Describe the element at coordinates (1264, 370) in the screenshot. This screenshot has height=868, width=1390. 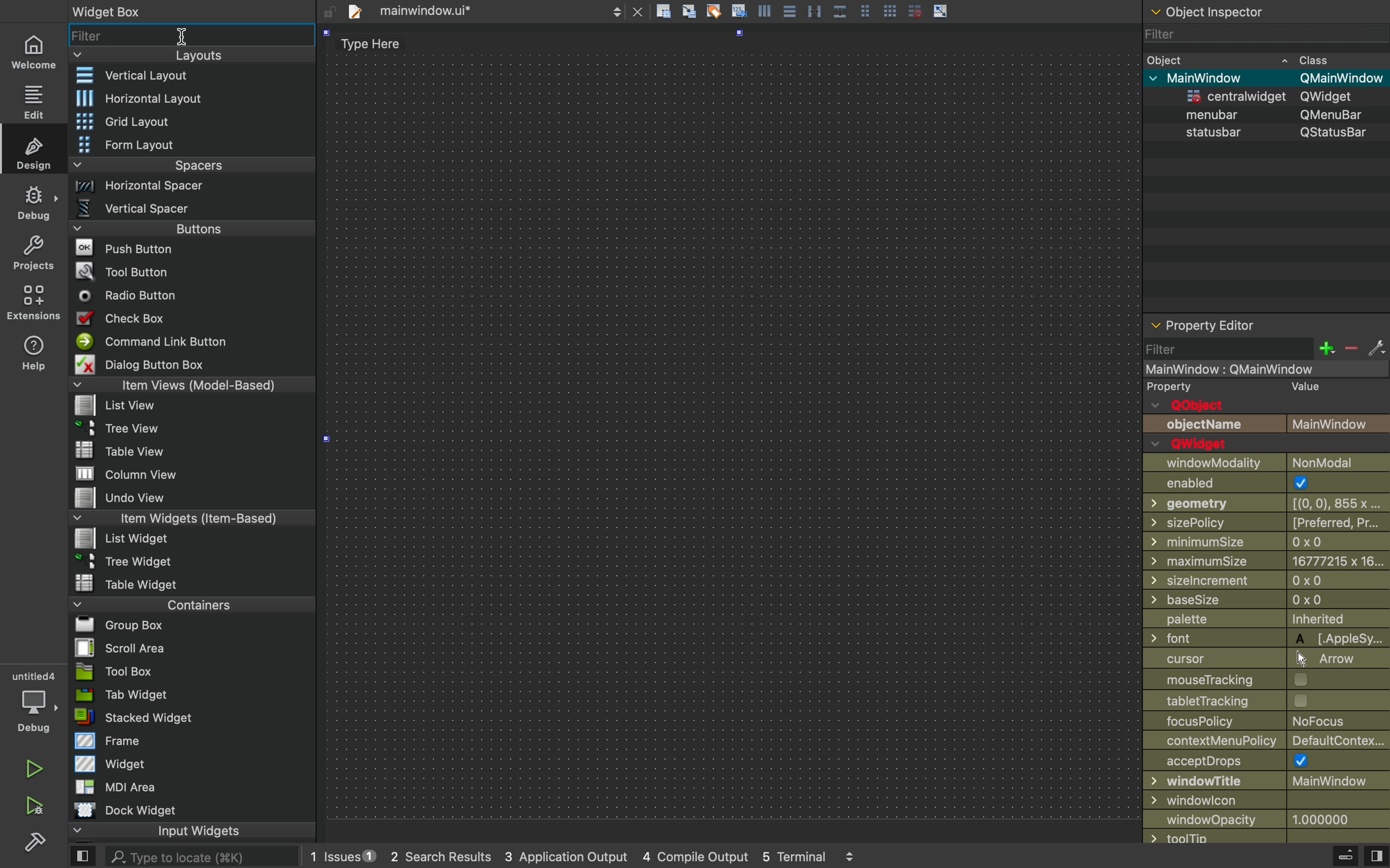
I see `mainwindow` at that location.